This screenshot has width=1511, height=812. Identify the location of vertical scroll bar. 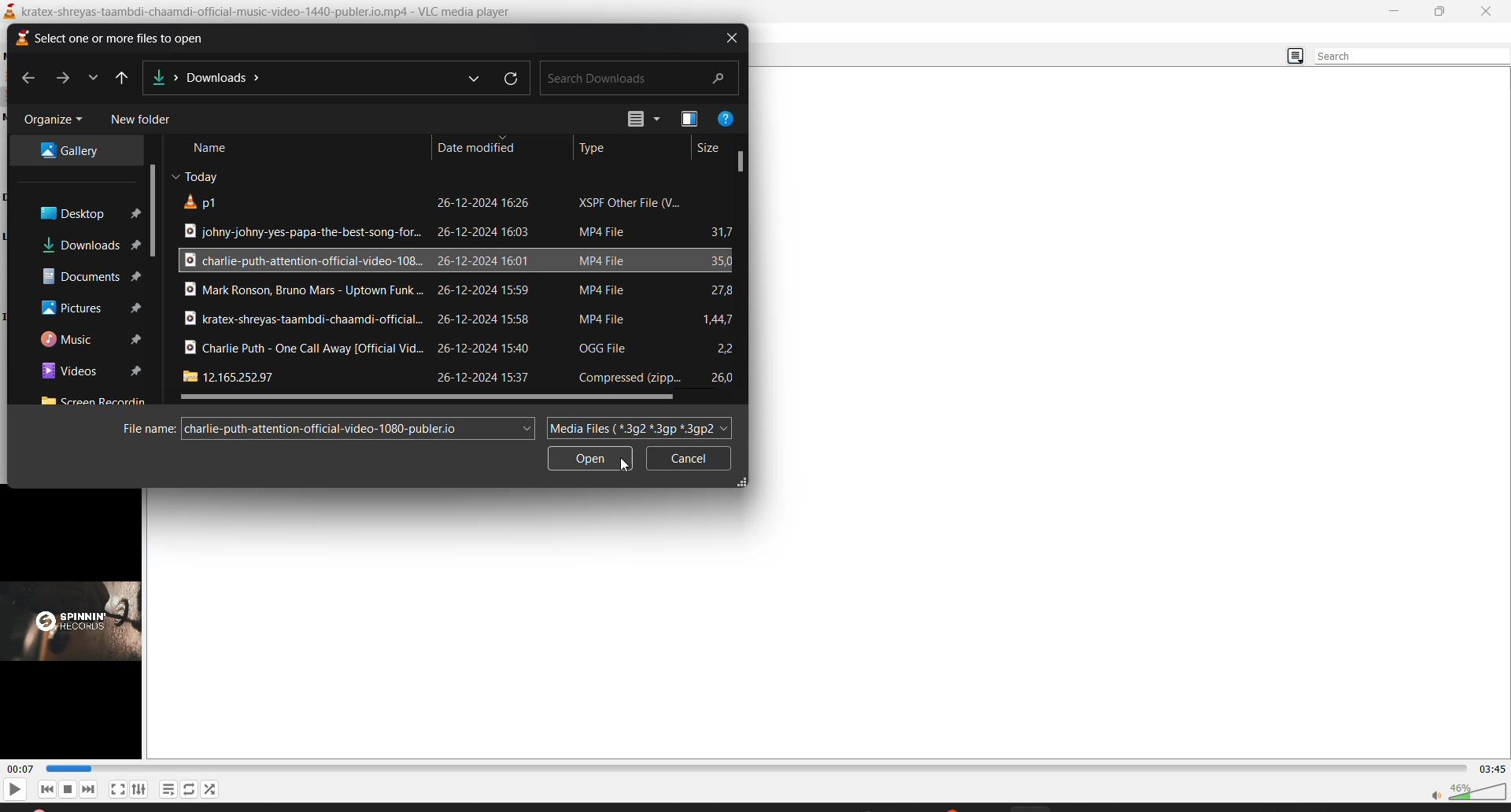
(155, 211).